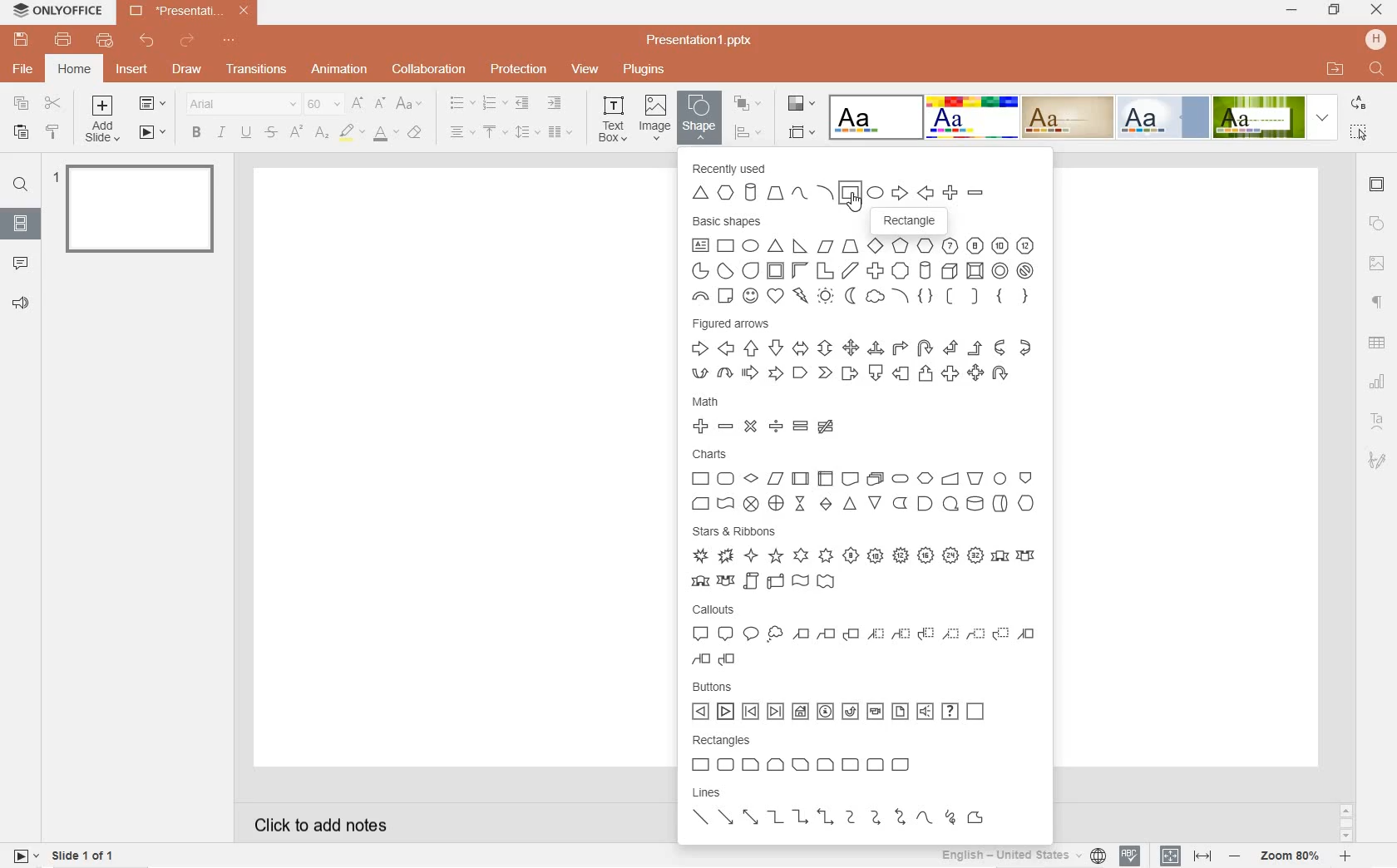 Image resolution: width=1397 pixels, height=868 pixels. I want to click on Elbow double arrow connector, so click(827, 818).